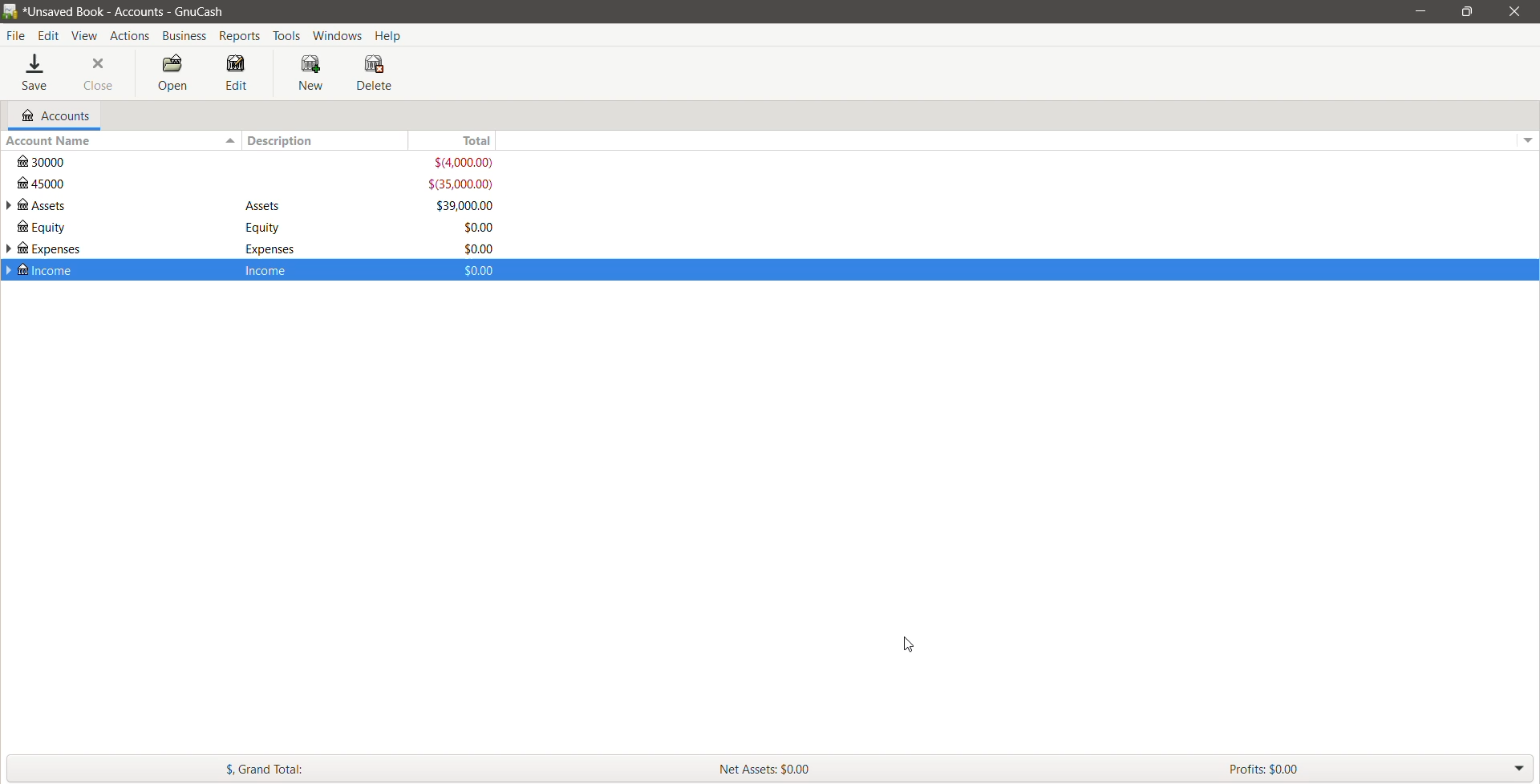  I want to click on Edit, so click(237, 74).